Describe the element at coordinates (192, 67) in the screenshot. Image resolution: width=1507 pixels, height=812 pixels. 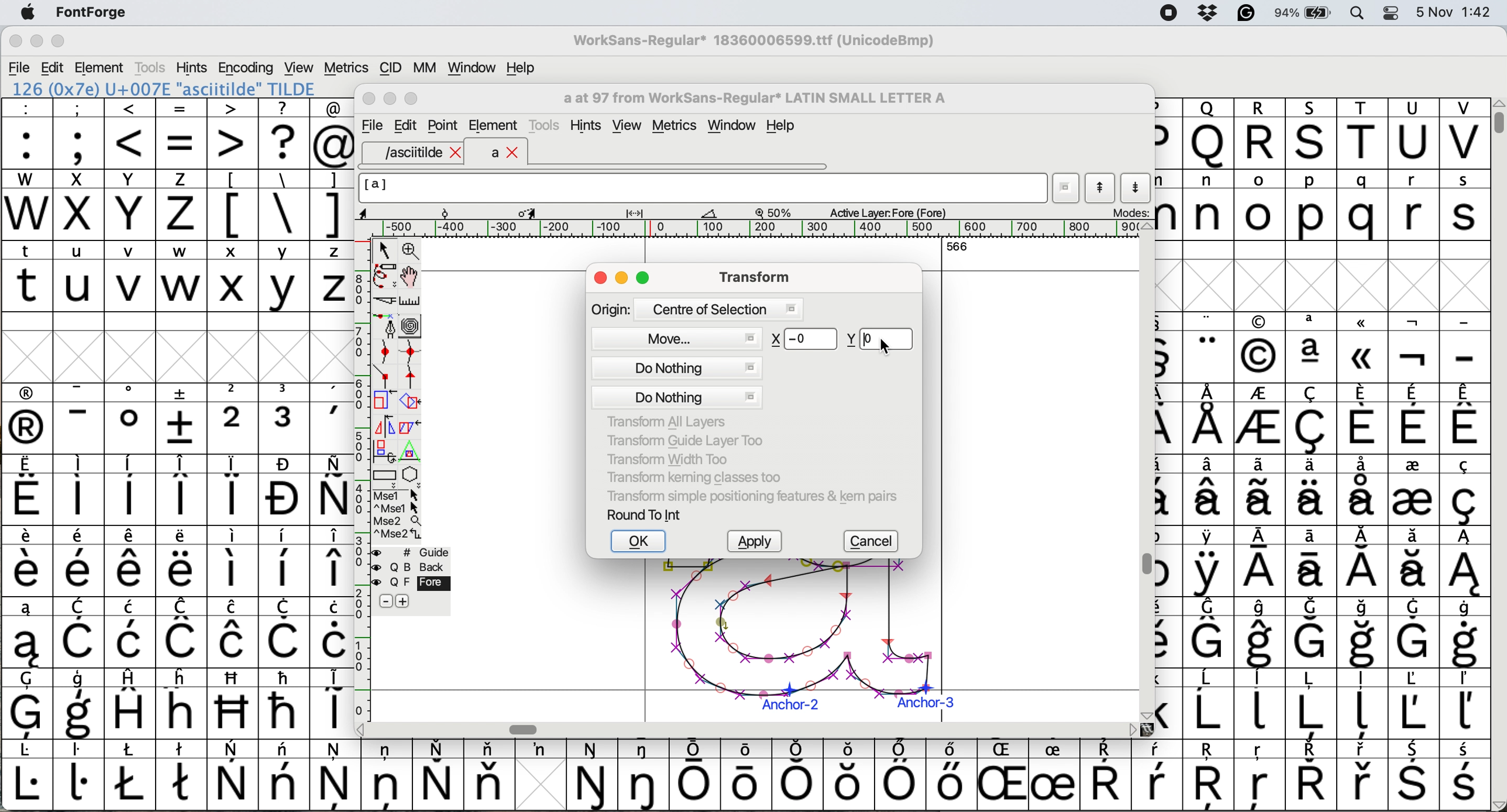
I see `hints` at that location.